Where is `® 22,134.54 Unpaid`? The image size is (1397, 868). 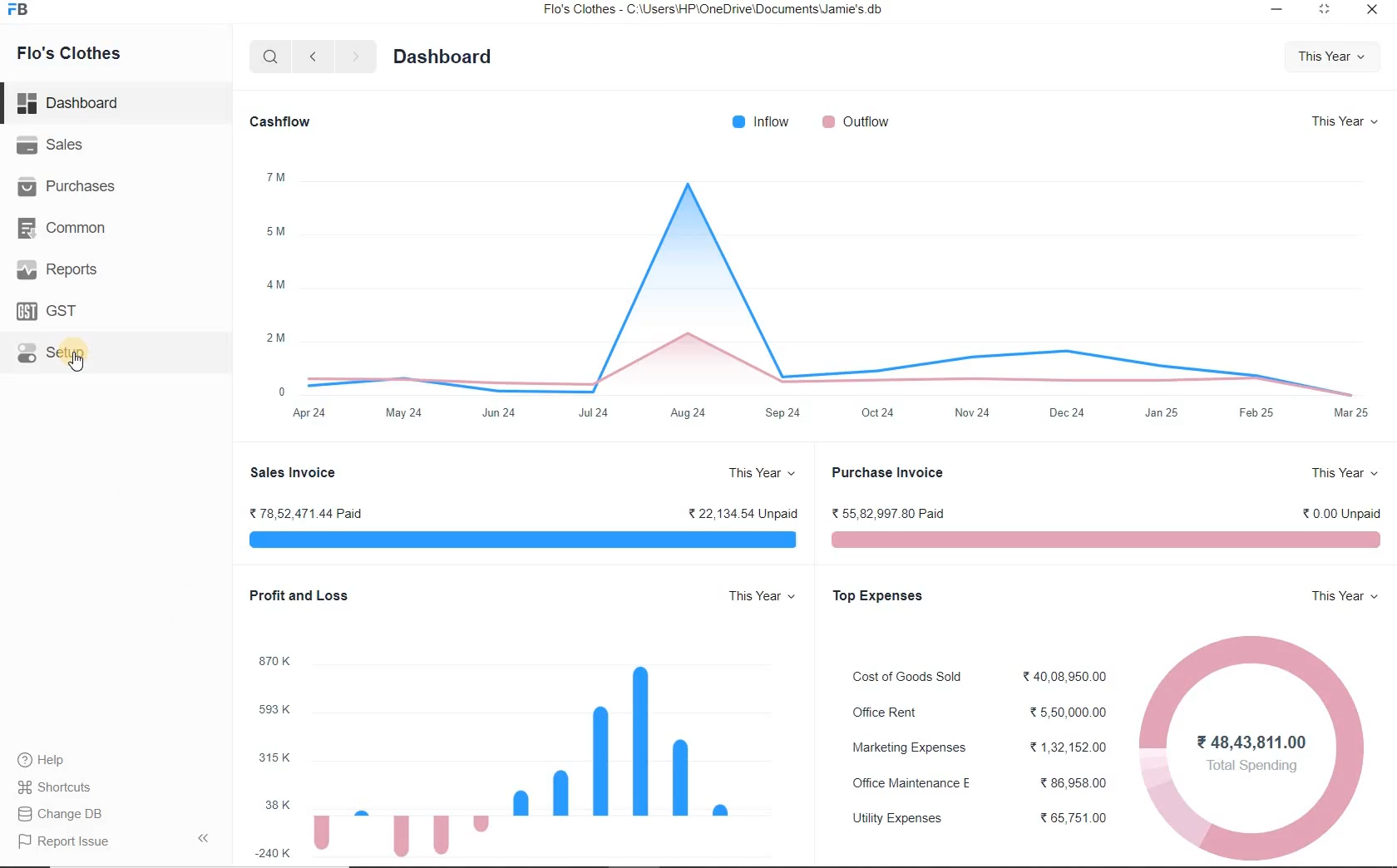 ® 22,134.54 Unpaid is located at coordinates (742, 514).